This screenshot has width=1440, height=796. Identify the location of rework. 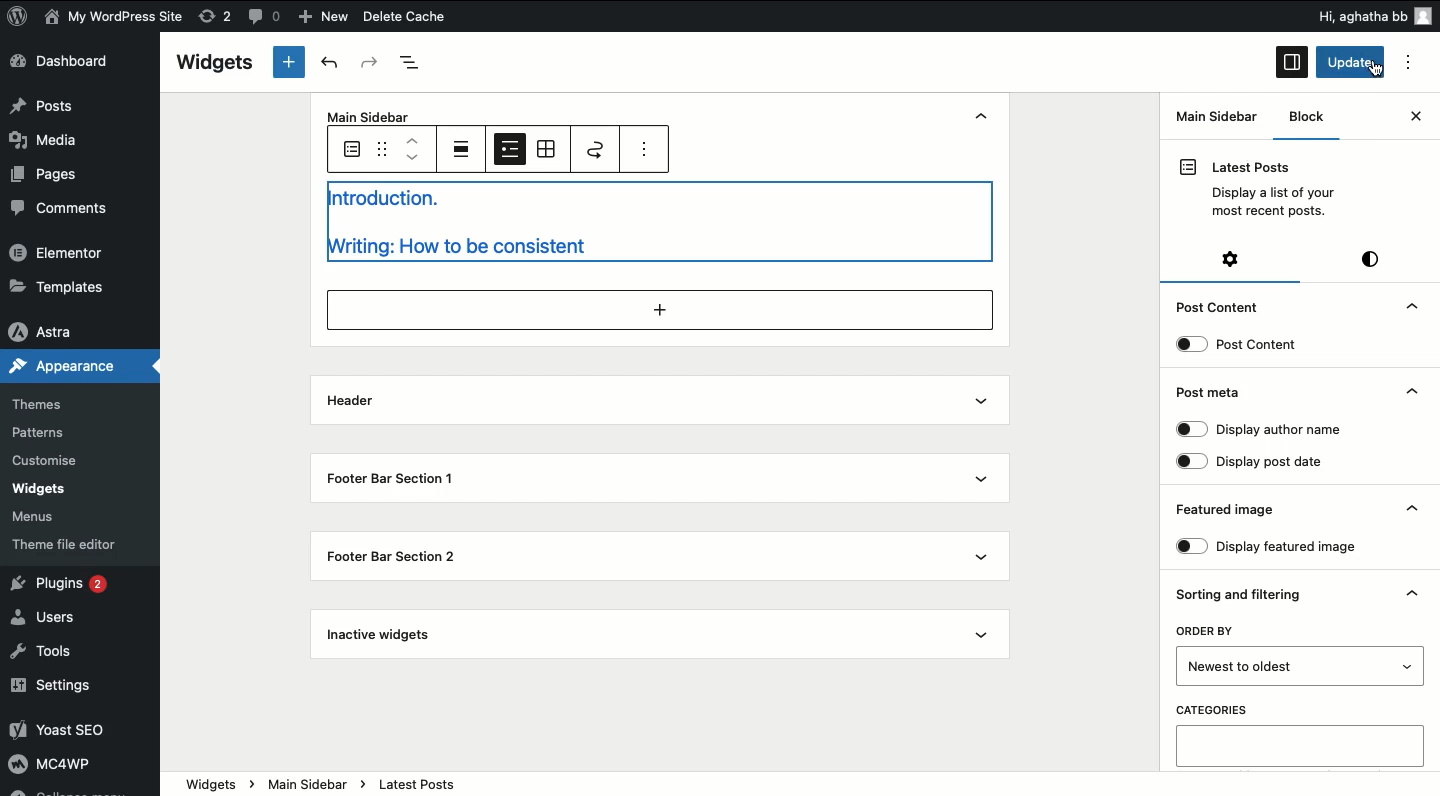
(212, 15).